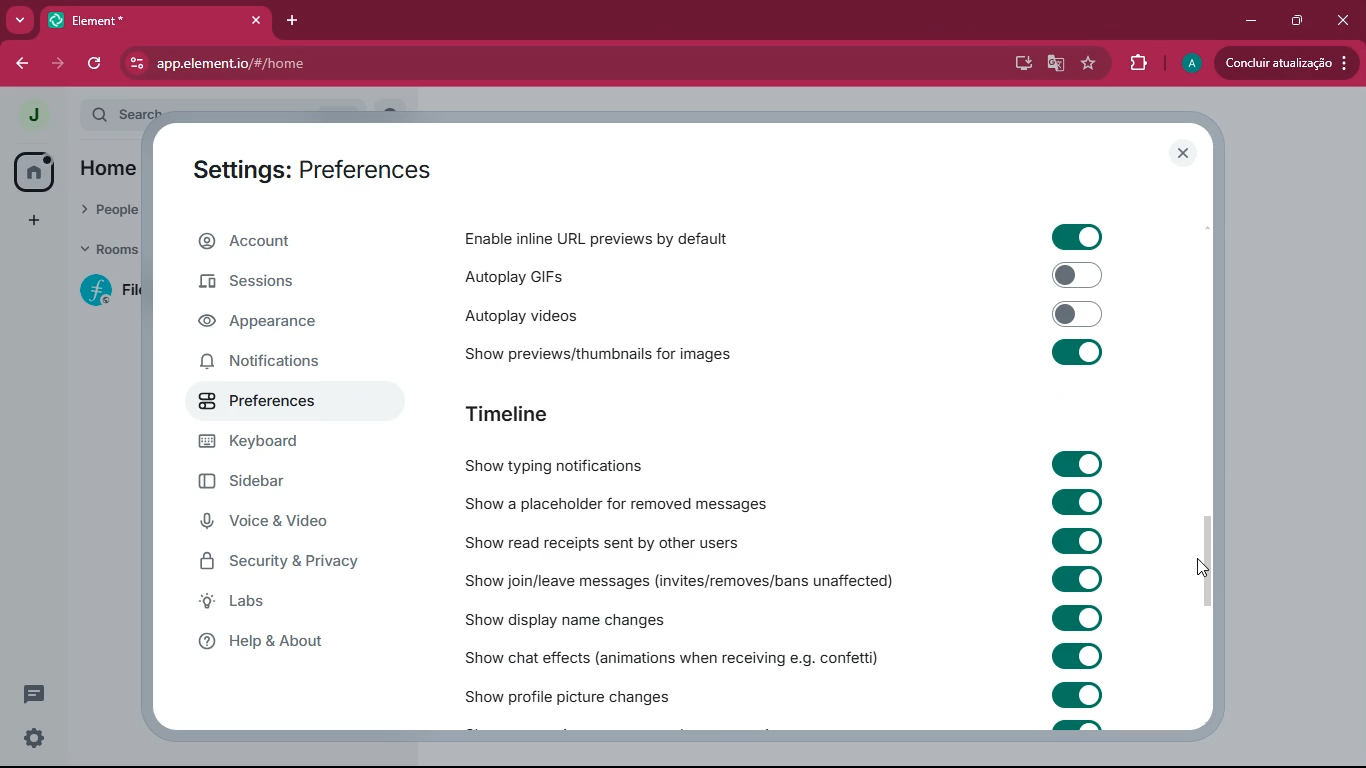  I want to click on google translate, so click(1054, 66).